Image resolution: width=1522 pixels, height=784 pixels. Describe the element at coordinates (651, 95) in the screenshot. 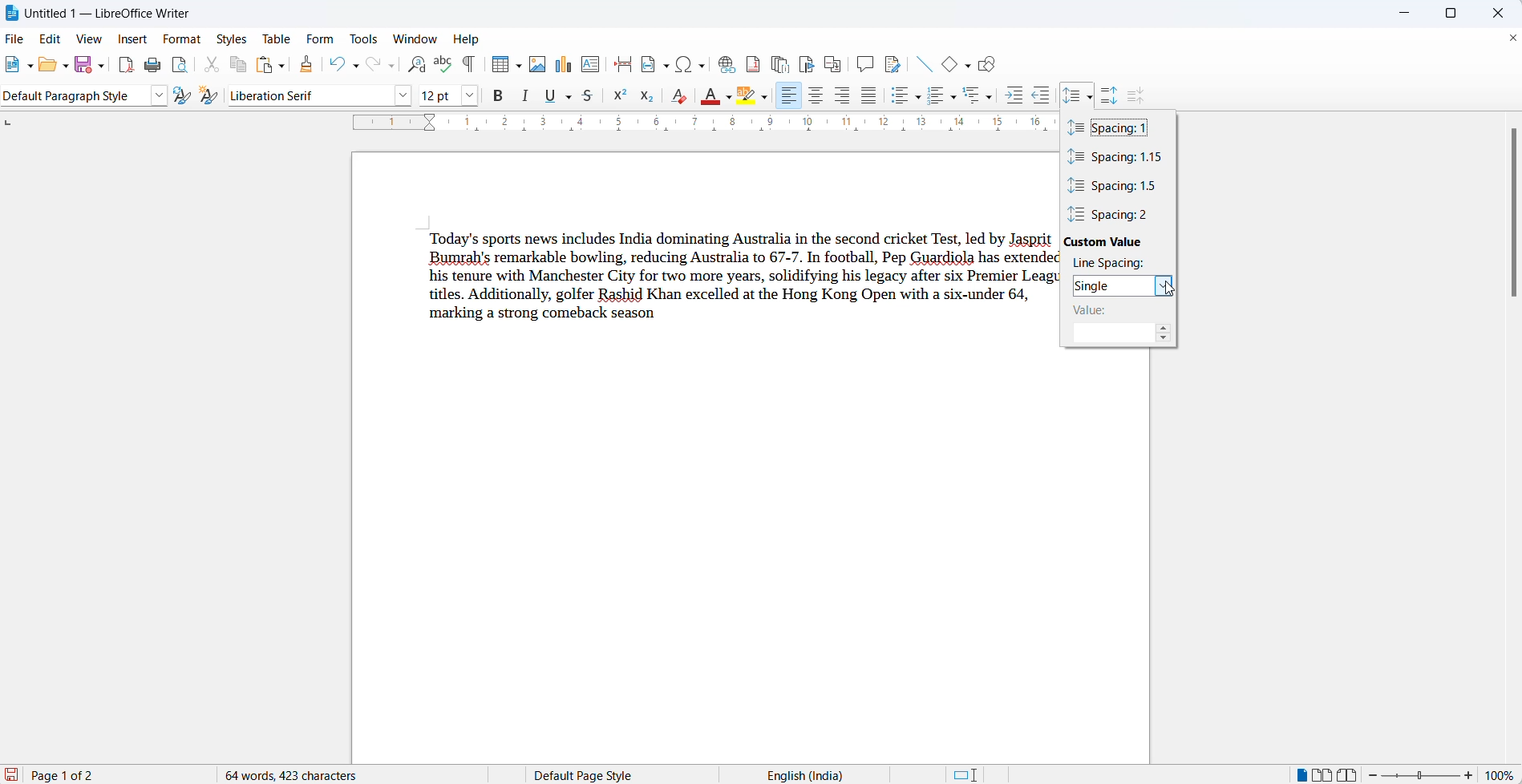

I see `subscript` at that location.